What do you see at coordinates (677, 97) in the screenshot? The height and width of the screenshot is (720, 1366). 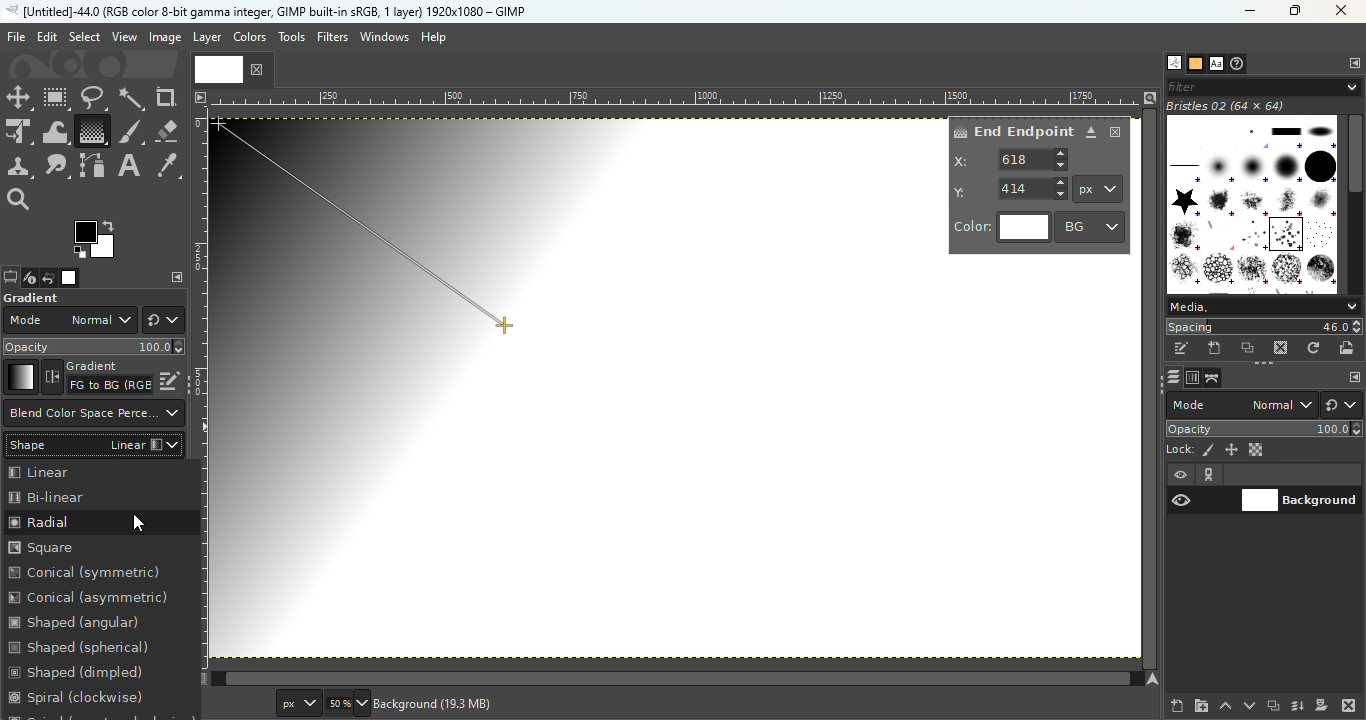 I see `Ruler Measurement` at bounding box center [677, 97].